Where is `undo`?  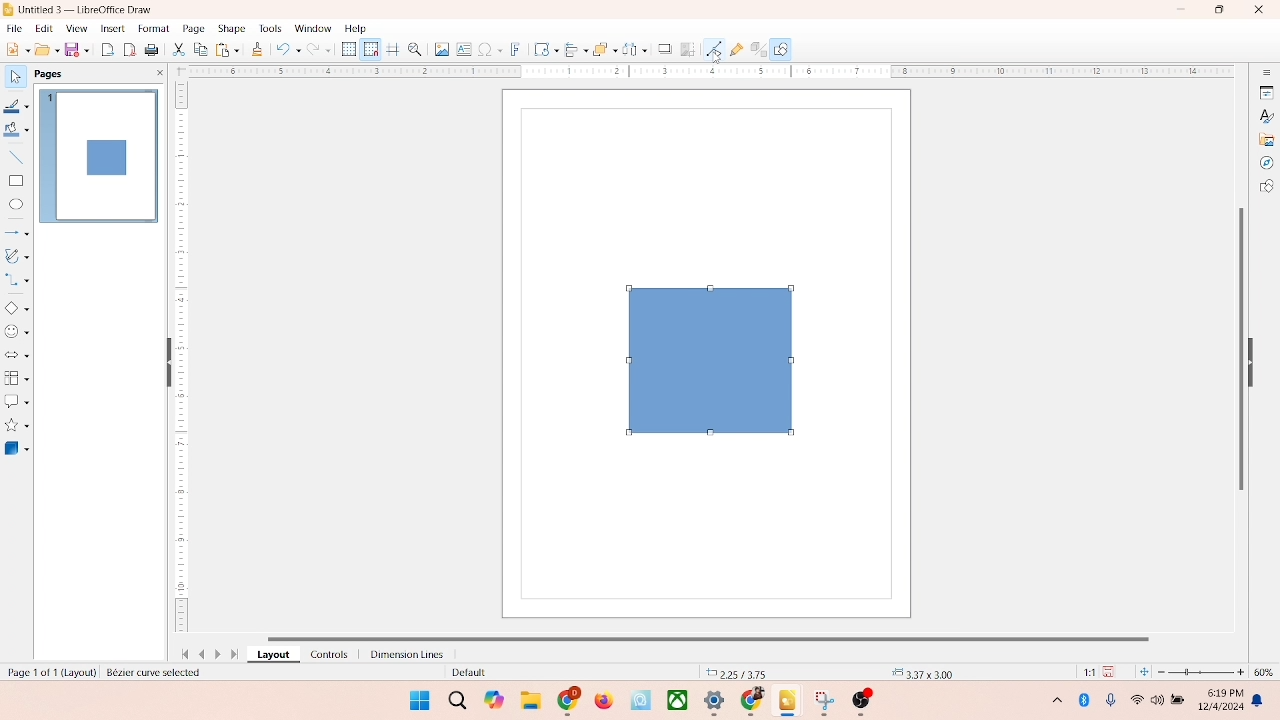 undo is located at coordinates (288, 51).